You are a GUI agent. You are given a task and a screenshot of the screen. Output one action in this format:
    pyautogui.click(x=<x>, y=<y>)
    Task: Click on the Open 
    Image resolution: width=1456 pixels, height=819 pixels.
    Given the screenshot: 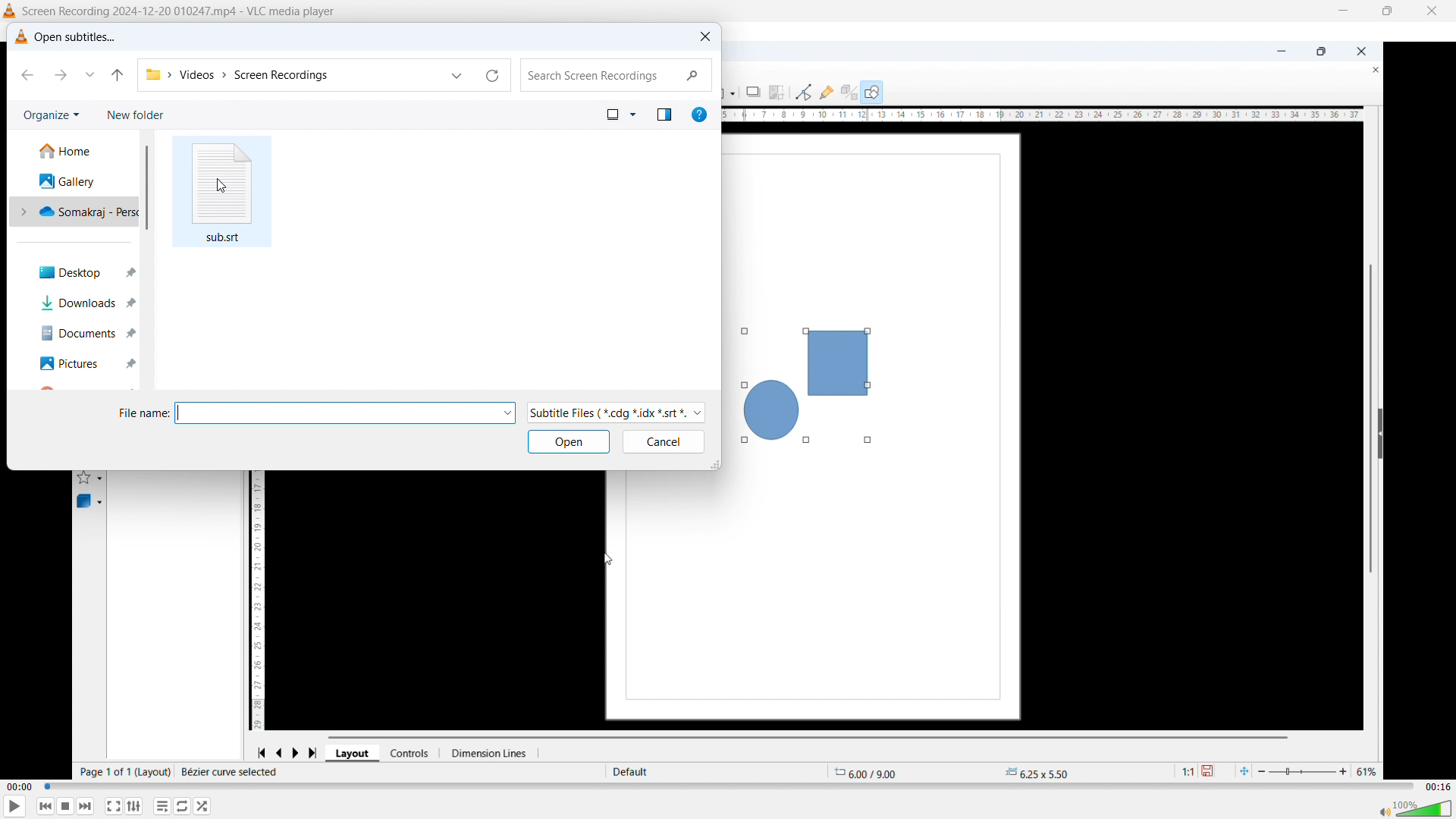 What is the action you would take?
    pyautogui.click(x=568, y=441)
    